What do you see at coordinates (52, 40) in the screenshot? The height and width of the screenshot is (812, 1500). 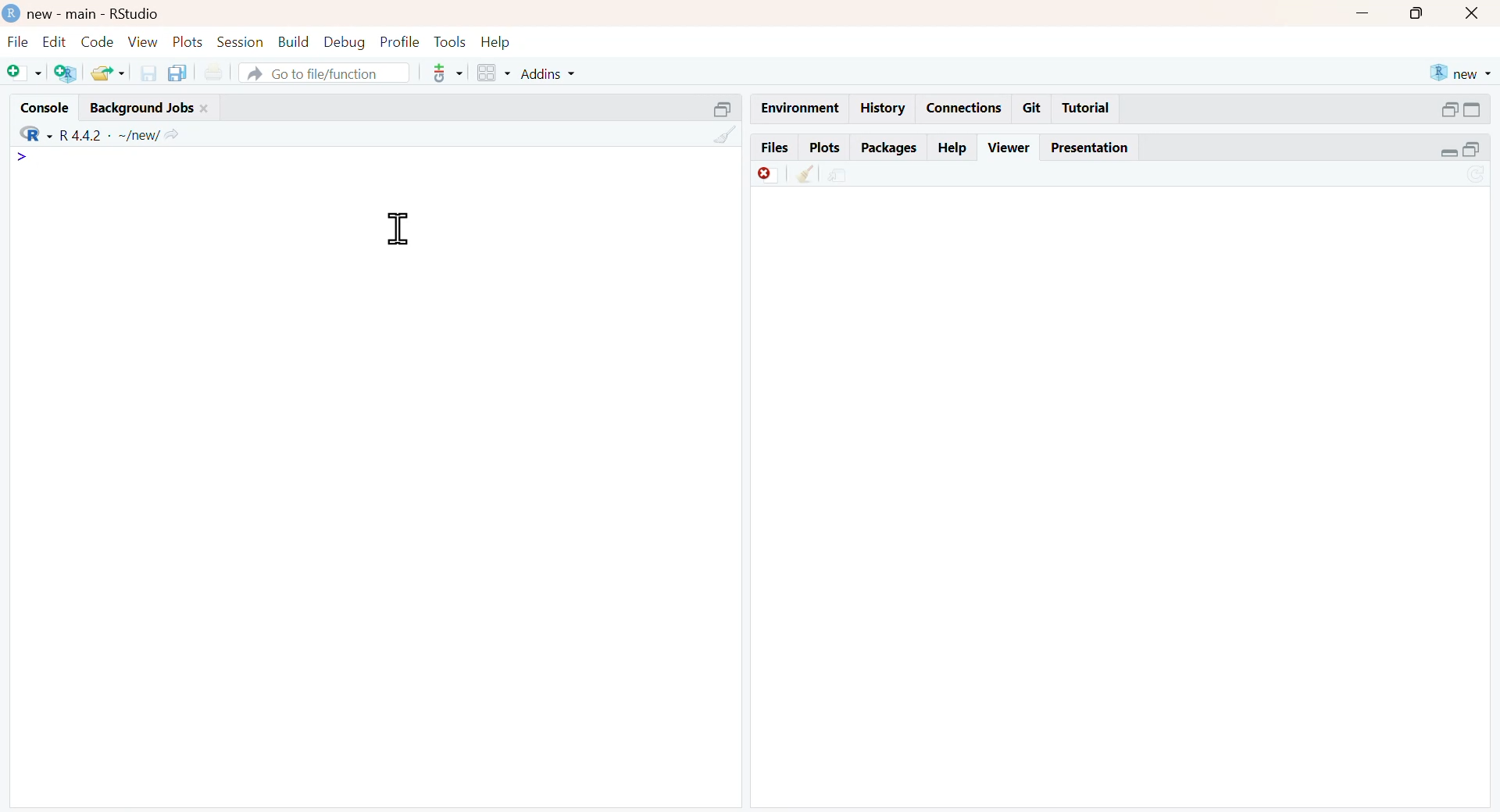 I see `Edit` at bounding box center [52, 40].